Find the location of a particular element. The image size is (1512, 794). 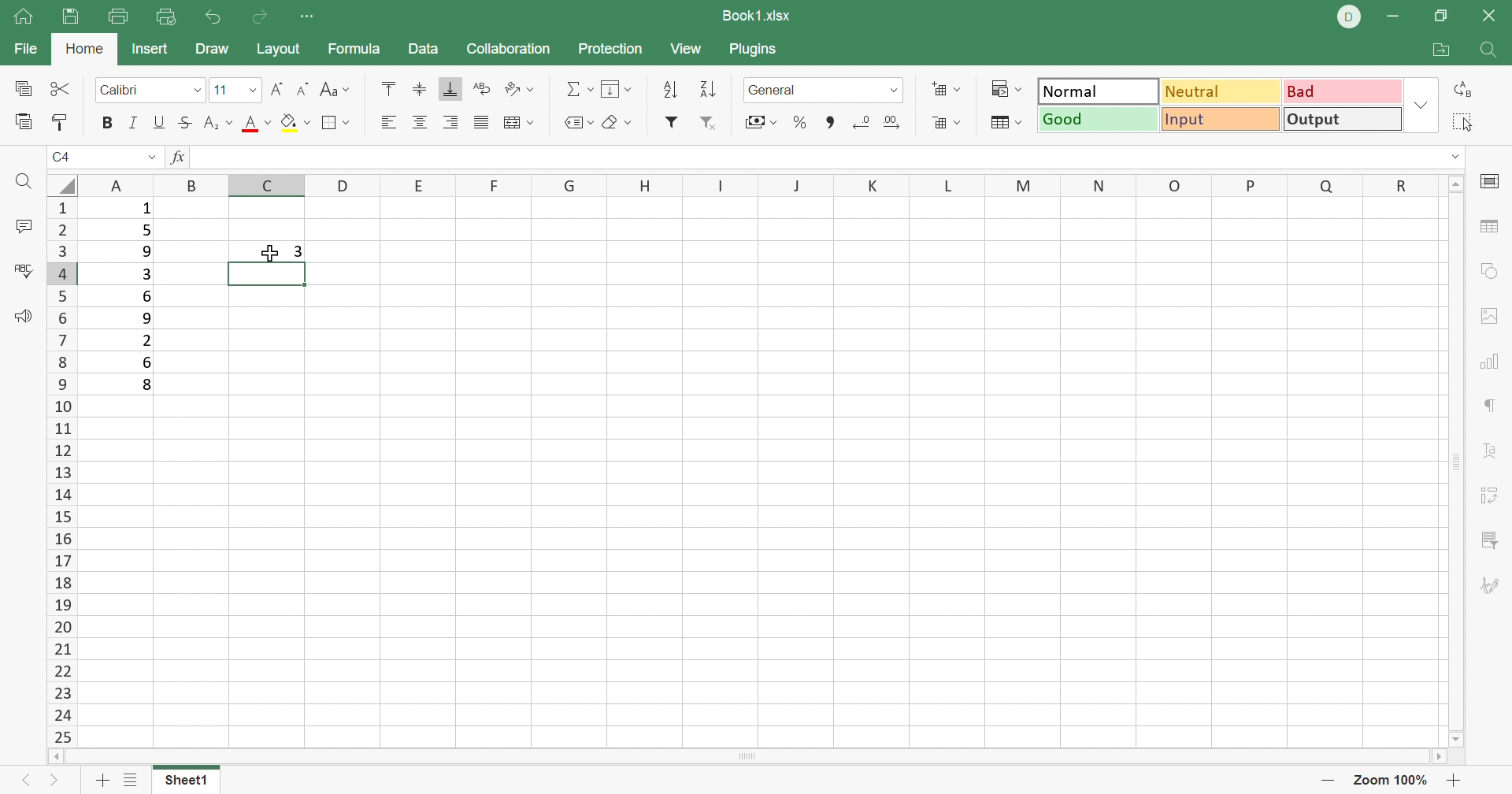

Signature settings is located at coordinates (1492, 589).